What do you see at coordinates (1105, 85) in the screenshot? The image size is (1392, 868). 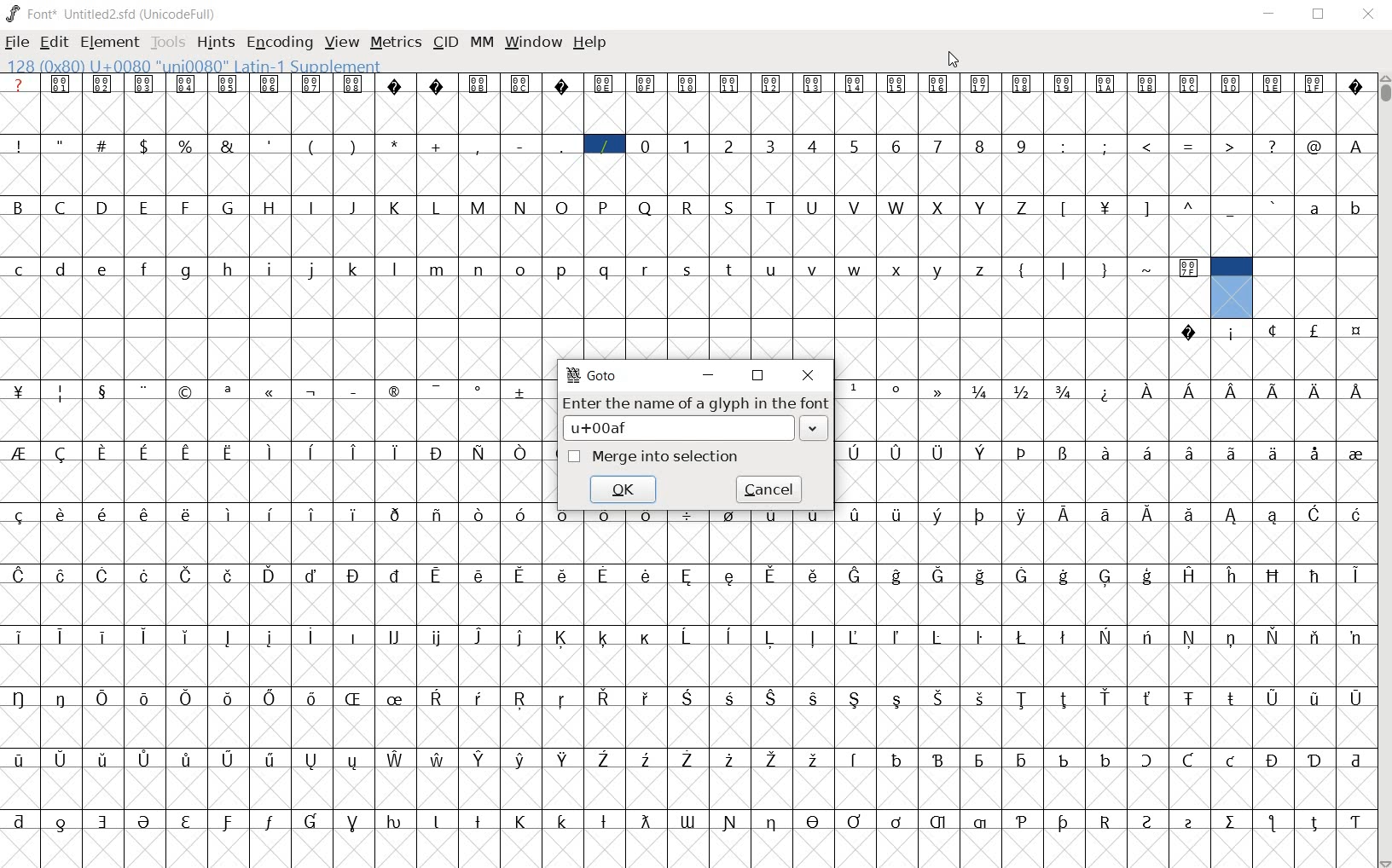 I see `Symbol` at bounding box center [1105, 85].